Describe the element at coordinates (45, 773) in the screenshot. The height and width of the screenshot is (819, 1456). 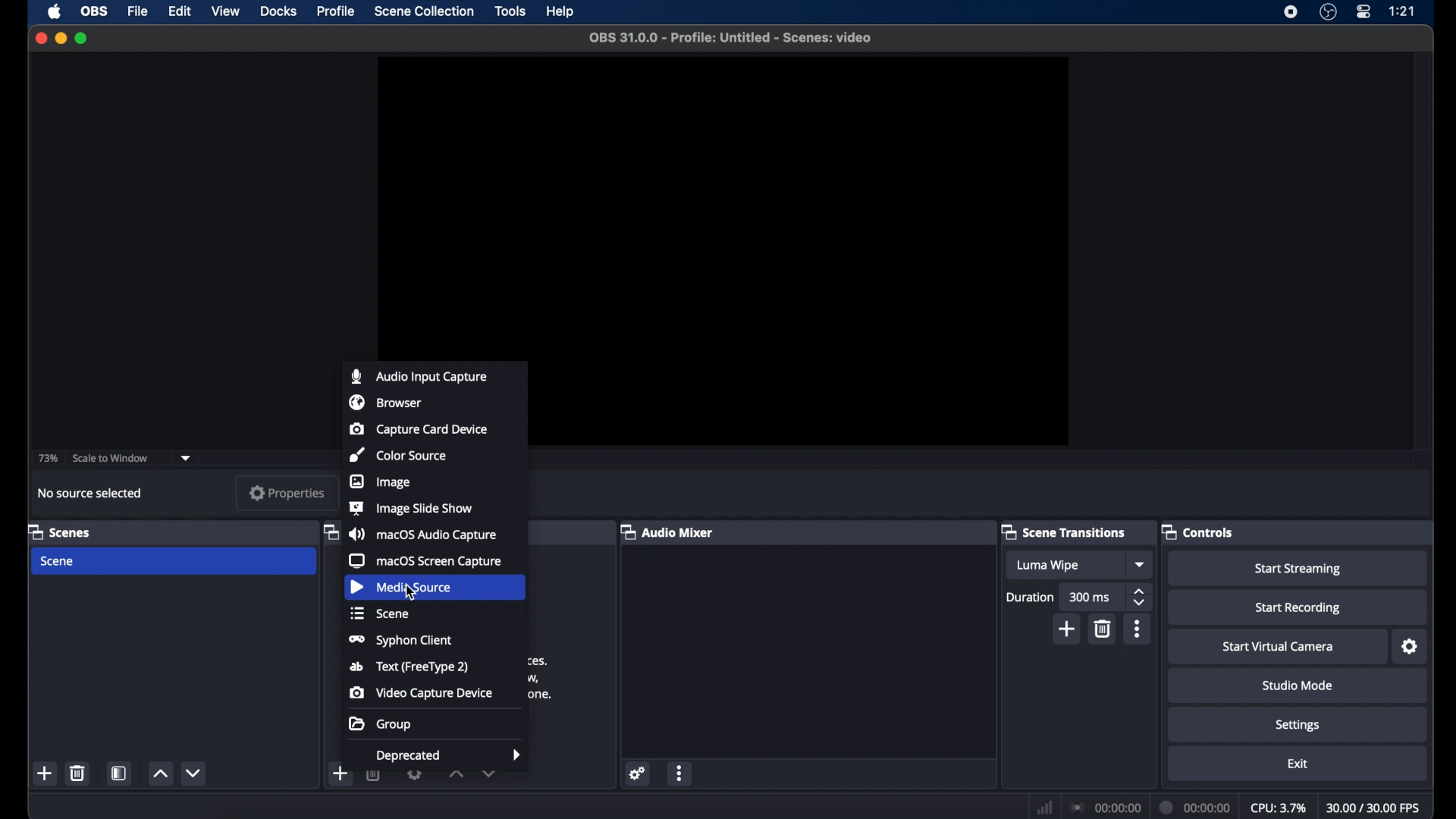
I see `add` at that location.